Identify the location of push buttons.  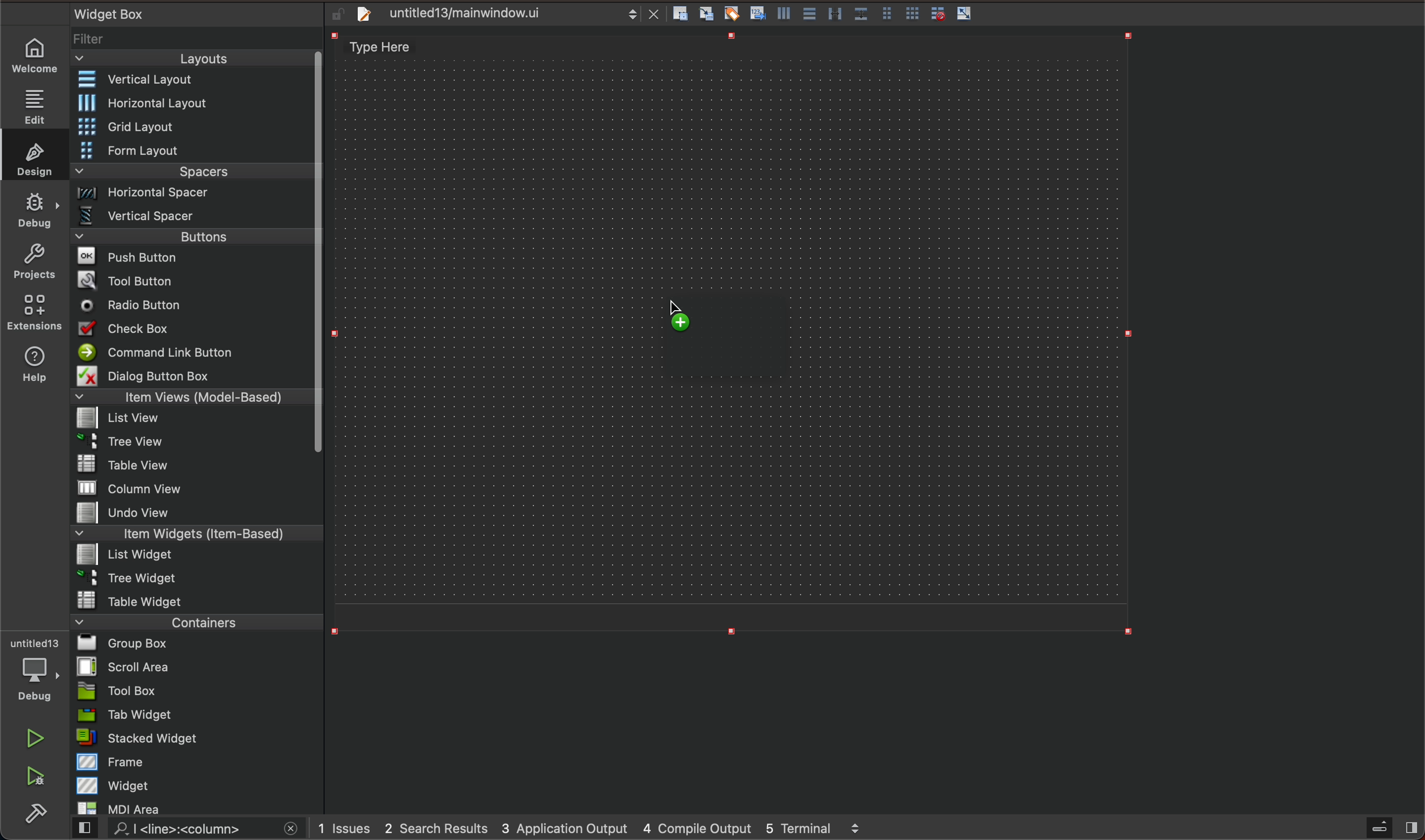
(193, 256).